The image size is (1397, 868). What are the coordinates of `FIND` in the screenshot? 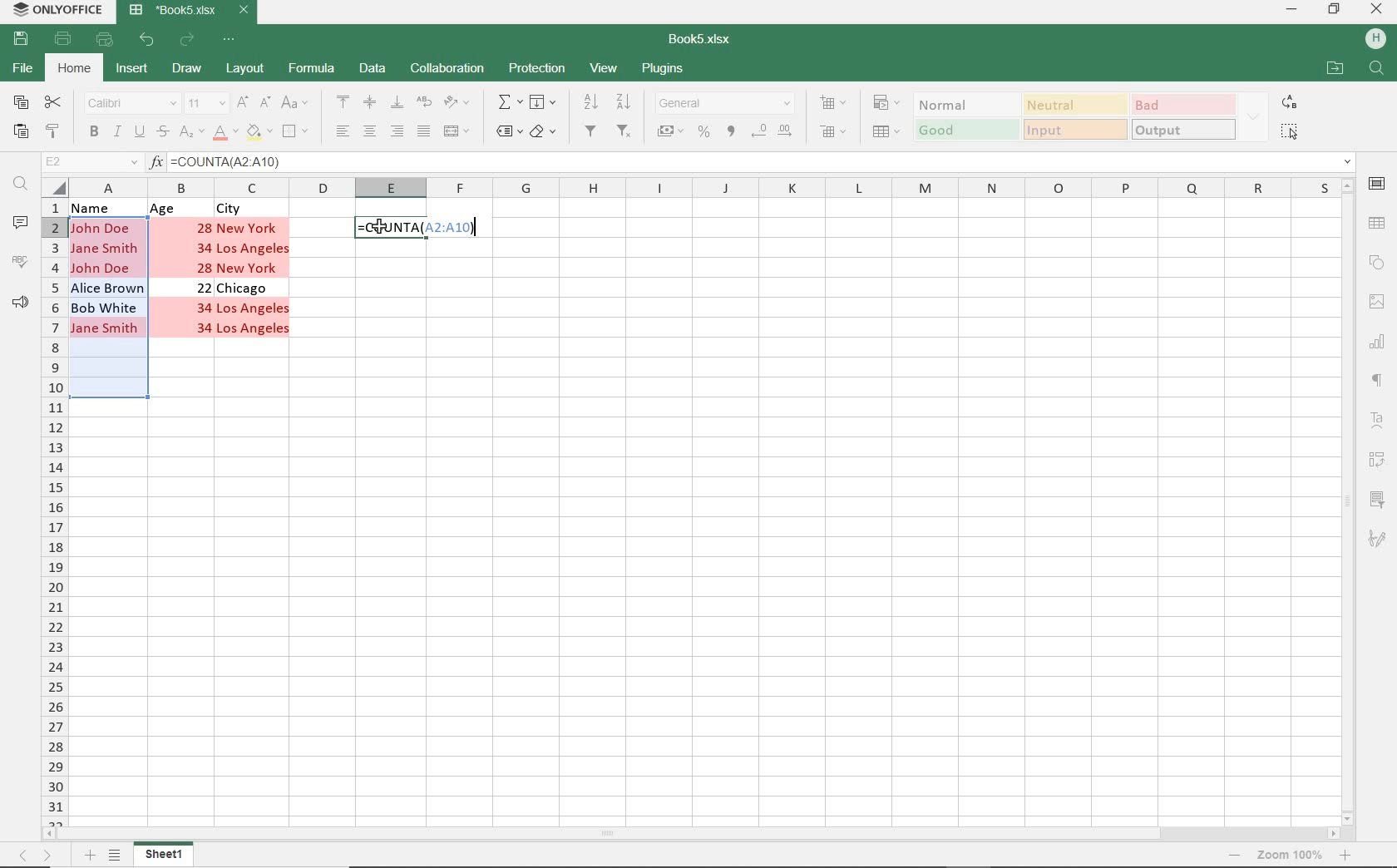 It's located at (1378, 71).